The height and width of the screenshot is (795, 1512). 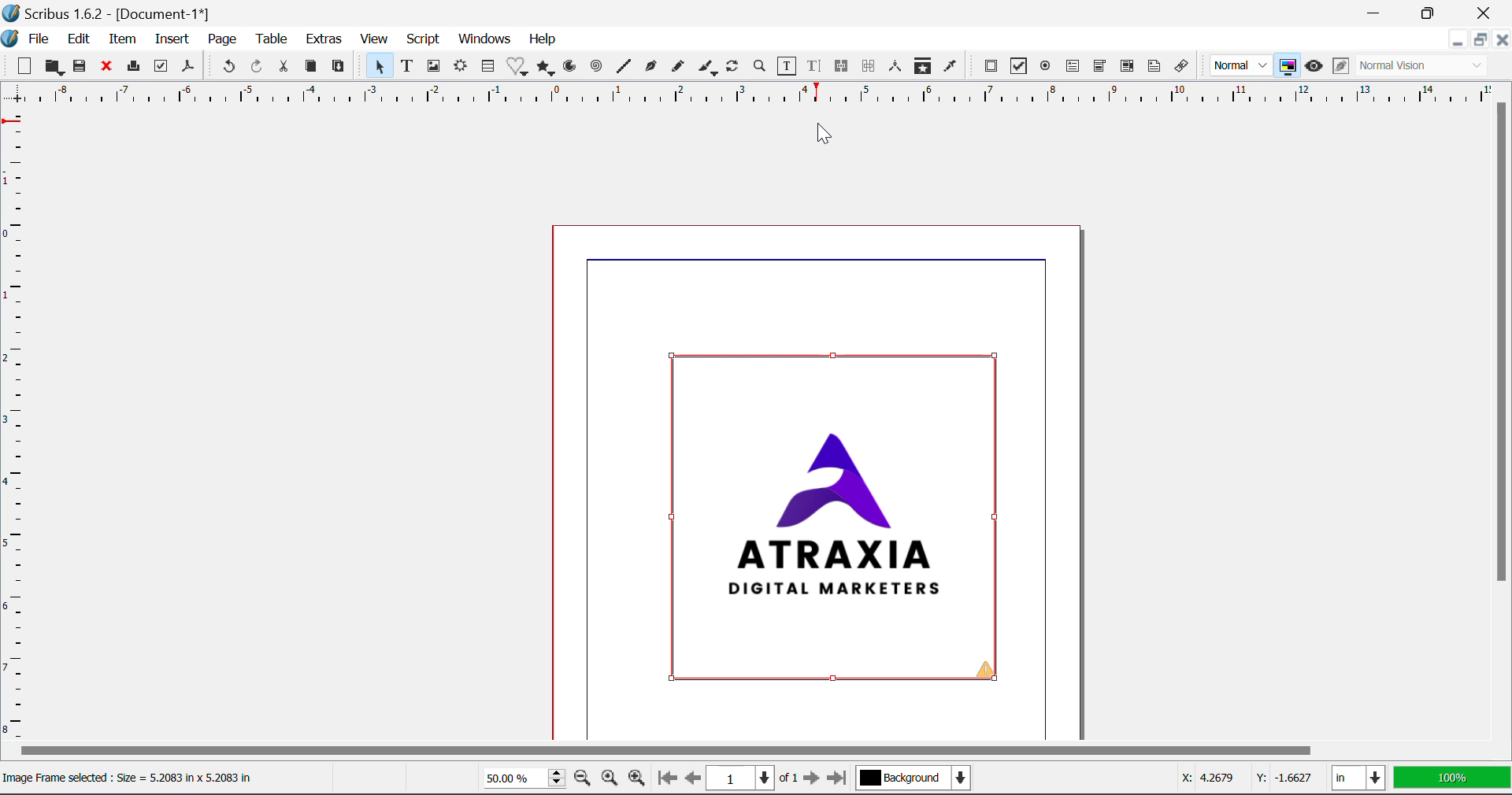 I want to click on Restore Down, so click(x=1457, y=39).